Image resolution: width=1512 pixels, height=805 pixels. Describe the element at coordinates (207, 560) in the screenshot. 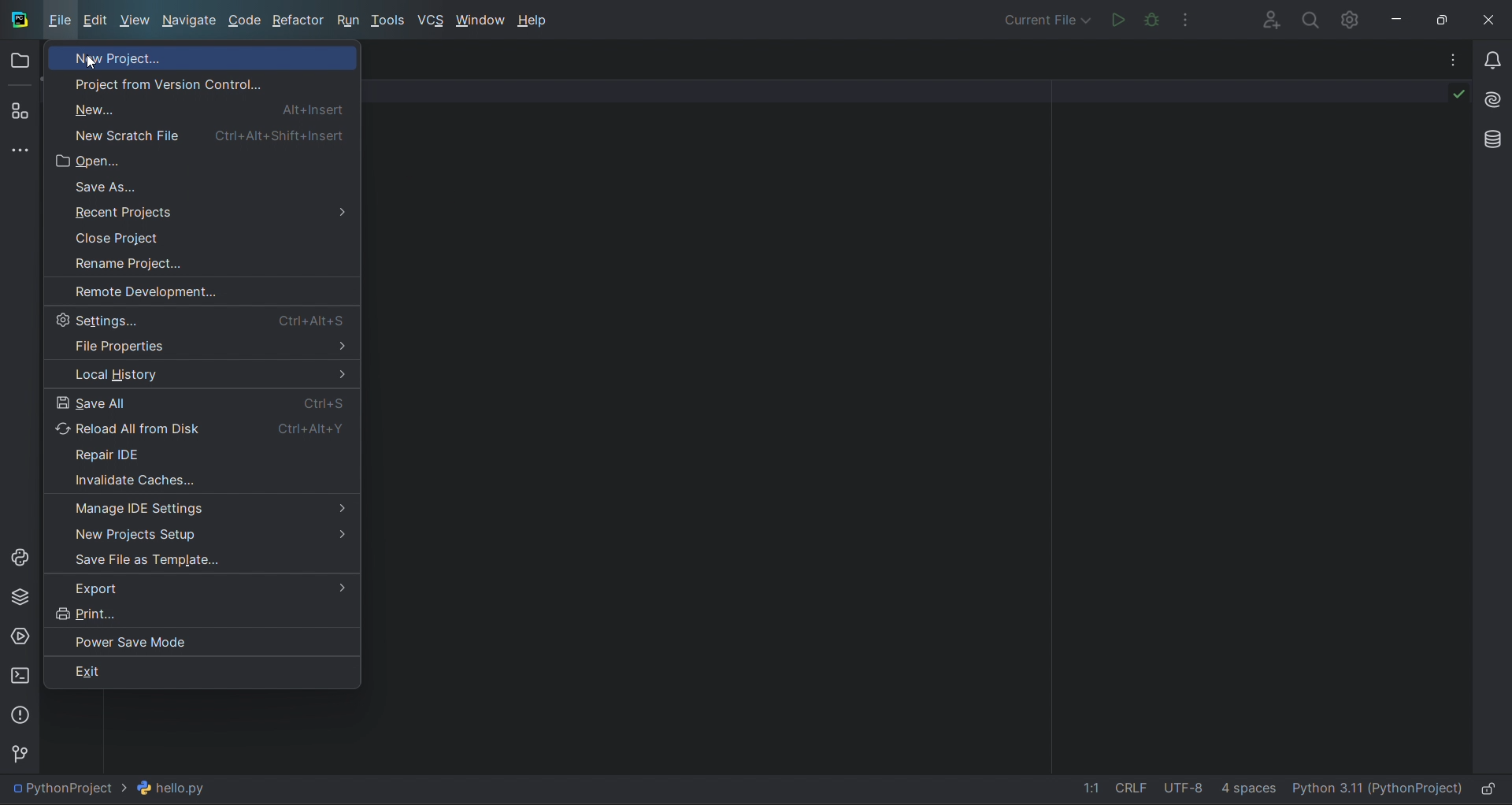

I see `save` at that location.